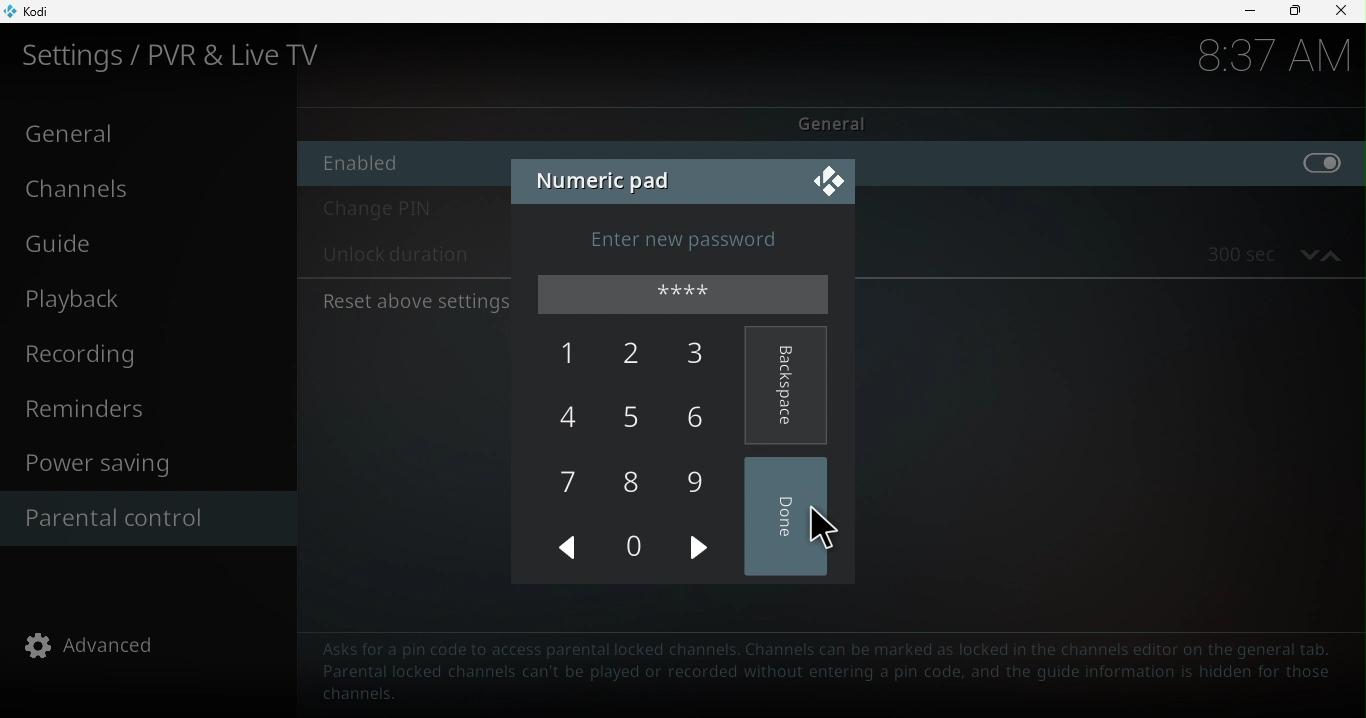  I want to click on Enable, so click(396, 163).